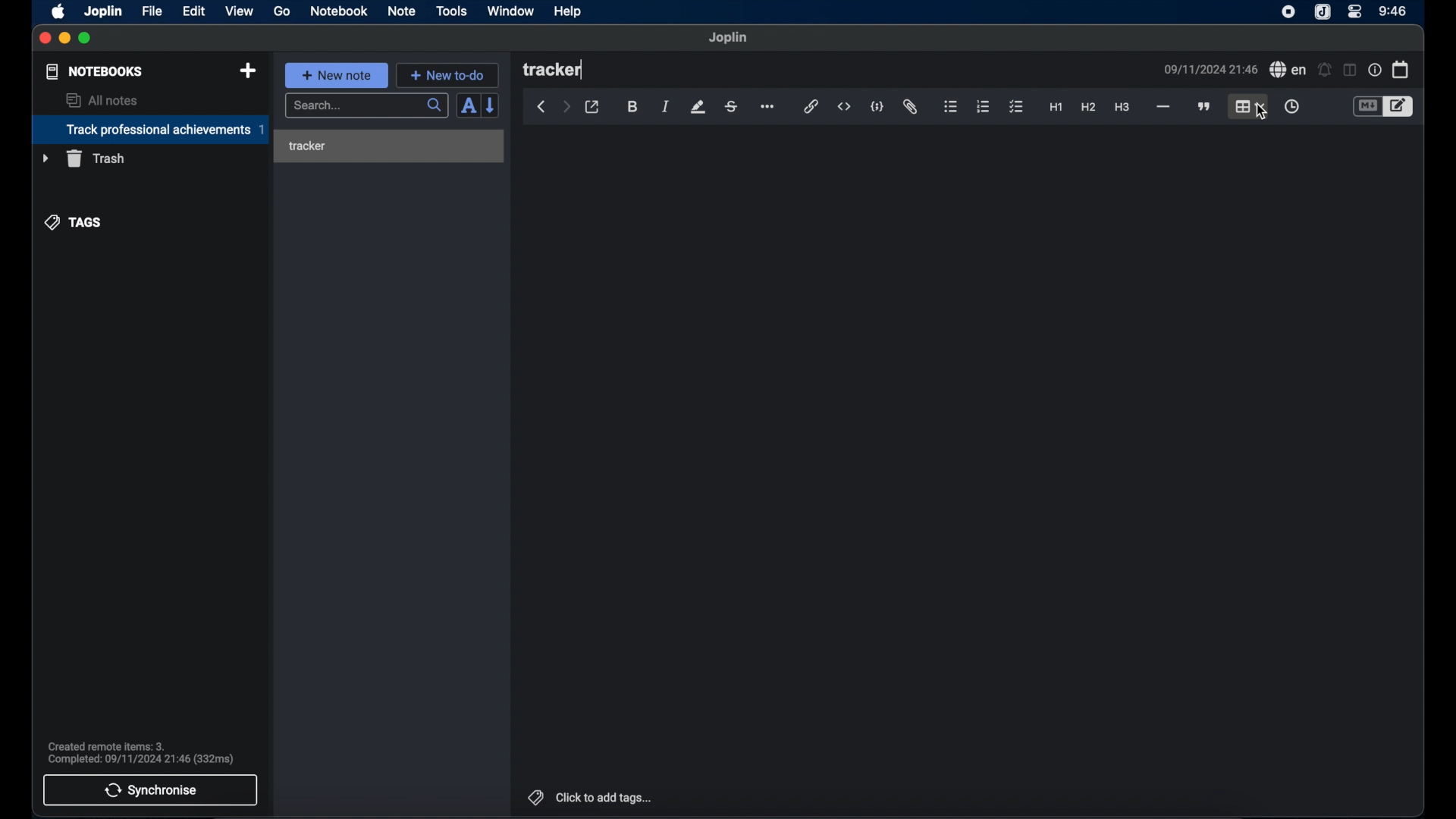 This screenshot has height=819, width=1456. Describe the element at coordinates (1348, 71) in the screenshot. I see `toggle editor layout` at that location.